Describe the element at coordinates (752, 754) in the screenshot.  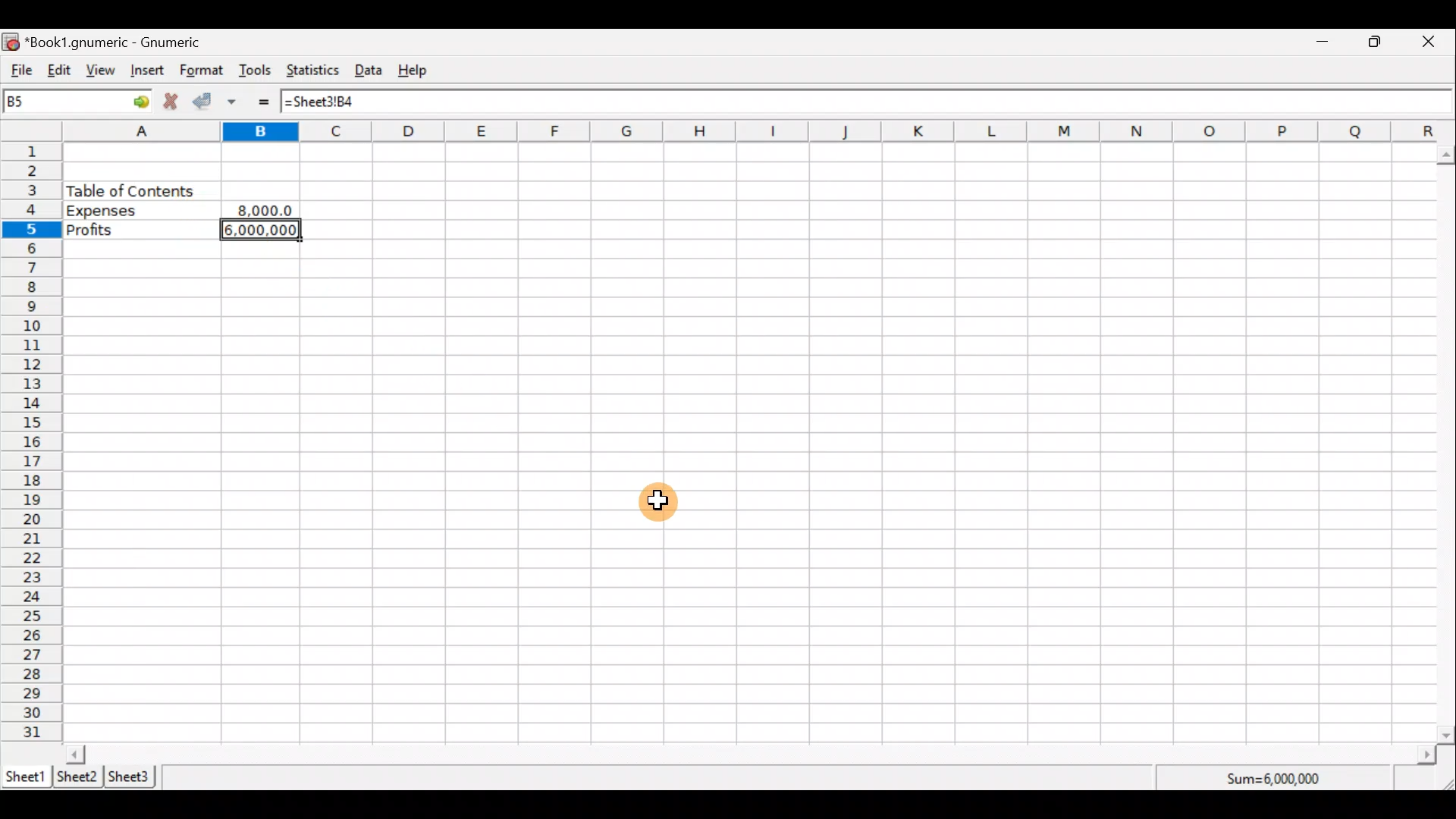
I see `Scroll bar` at that location.